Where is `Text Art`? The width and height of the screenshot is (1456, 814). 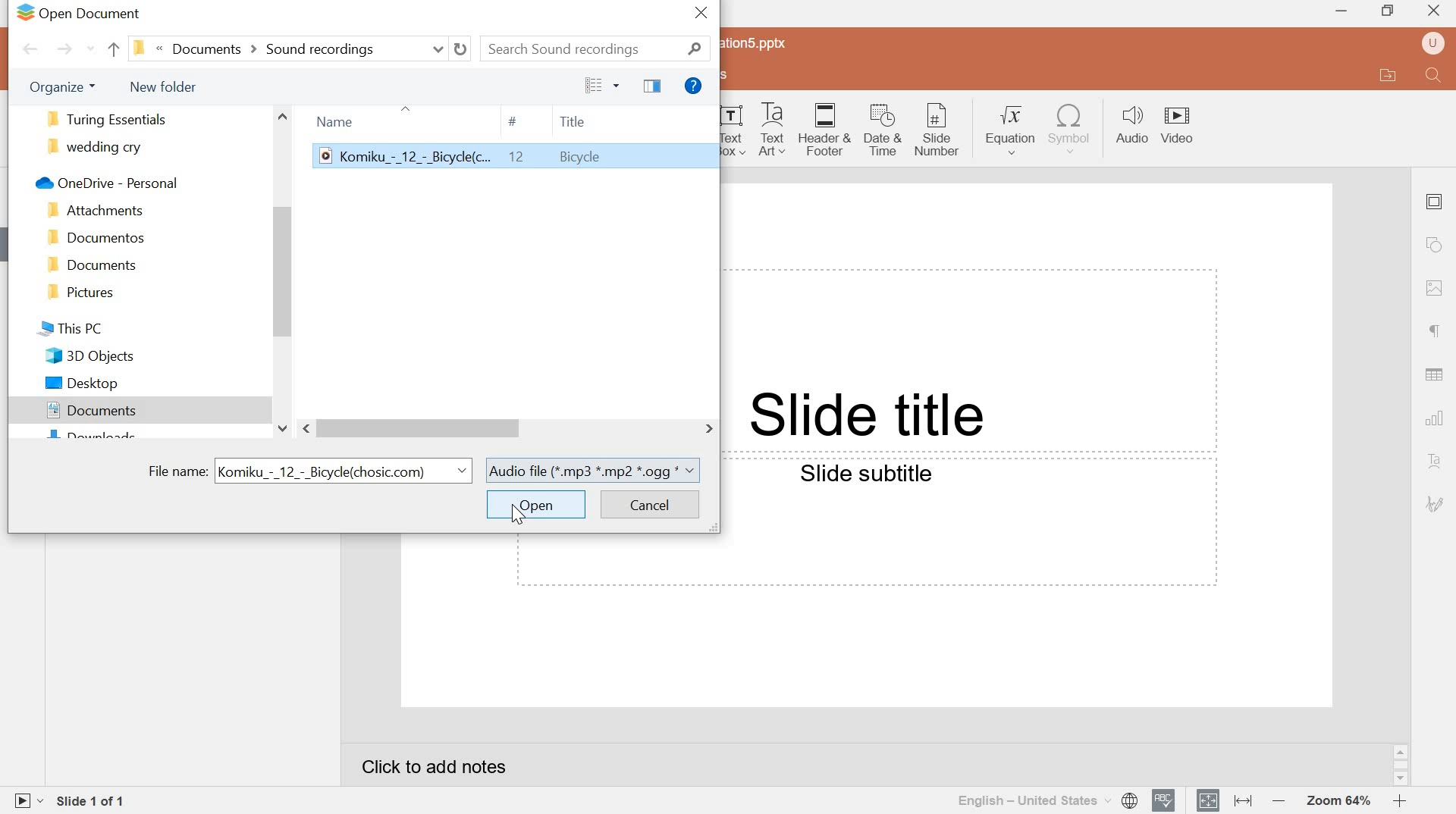
Text Art is located at coordinates (776, 130).